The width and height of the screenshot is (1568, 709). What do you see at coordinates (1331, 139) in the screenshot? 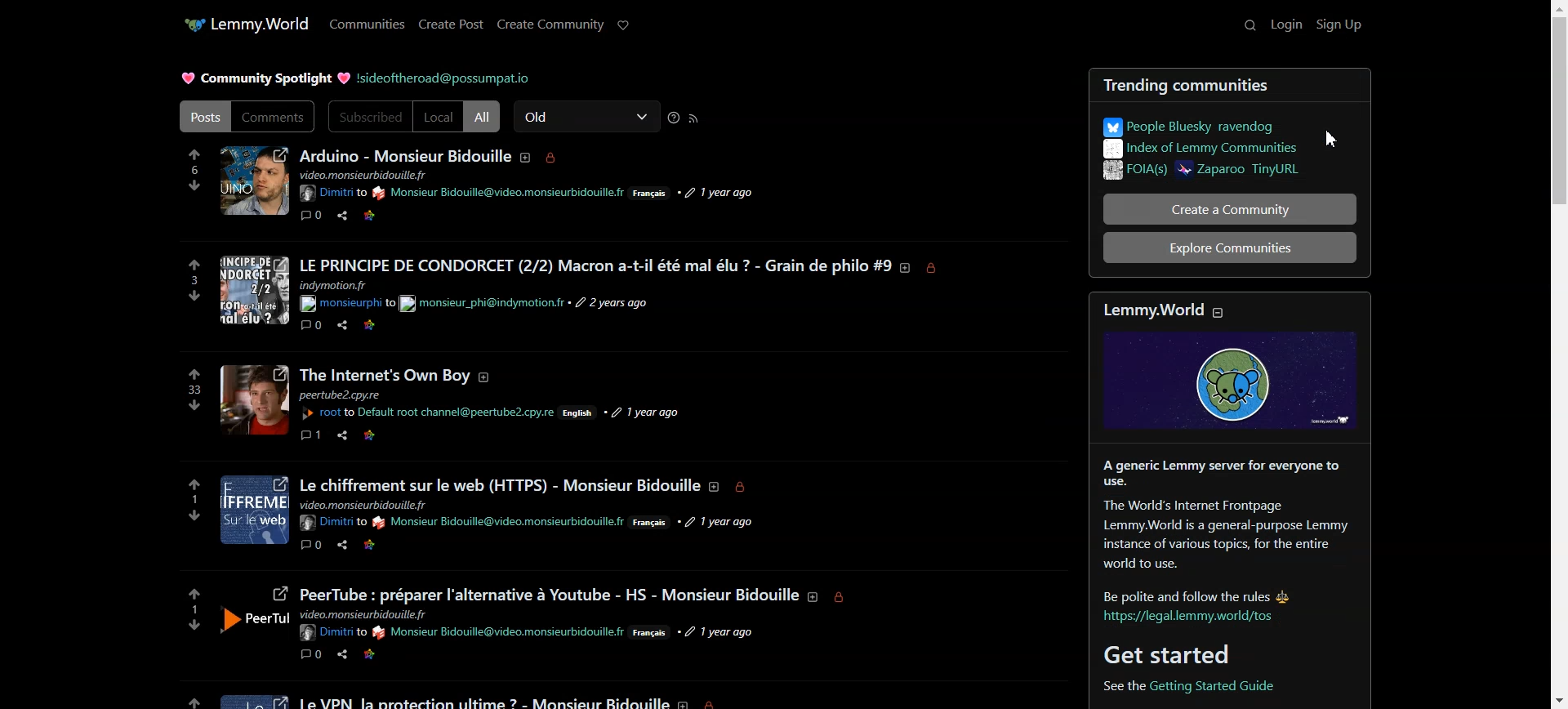
I see `Cursor` at bounding box center [1331, 139].